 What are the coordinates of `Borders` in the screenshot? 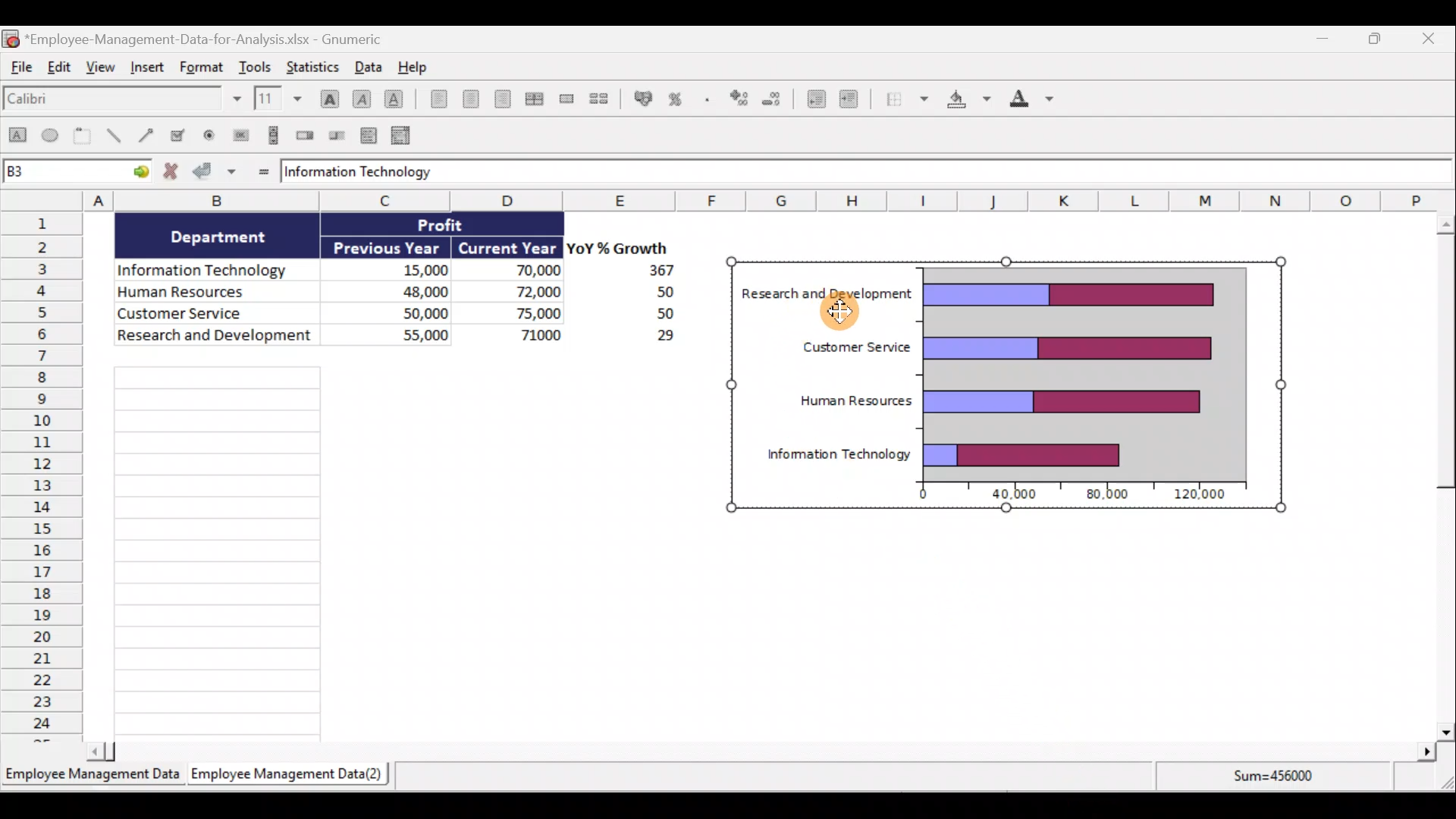 It's located at (906, 99).